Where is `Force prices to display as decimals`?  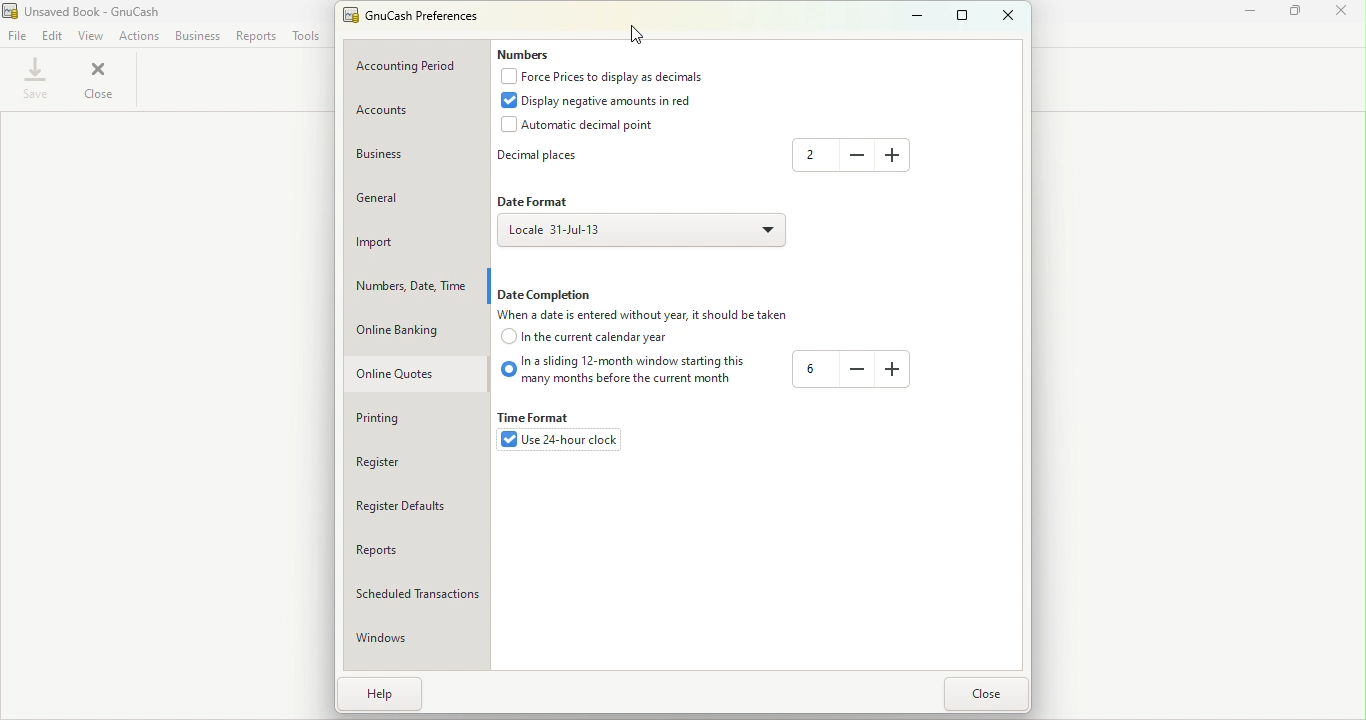 Force prices to display as decimals is located at coordinates (613, 76).